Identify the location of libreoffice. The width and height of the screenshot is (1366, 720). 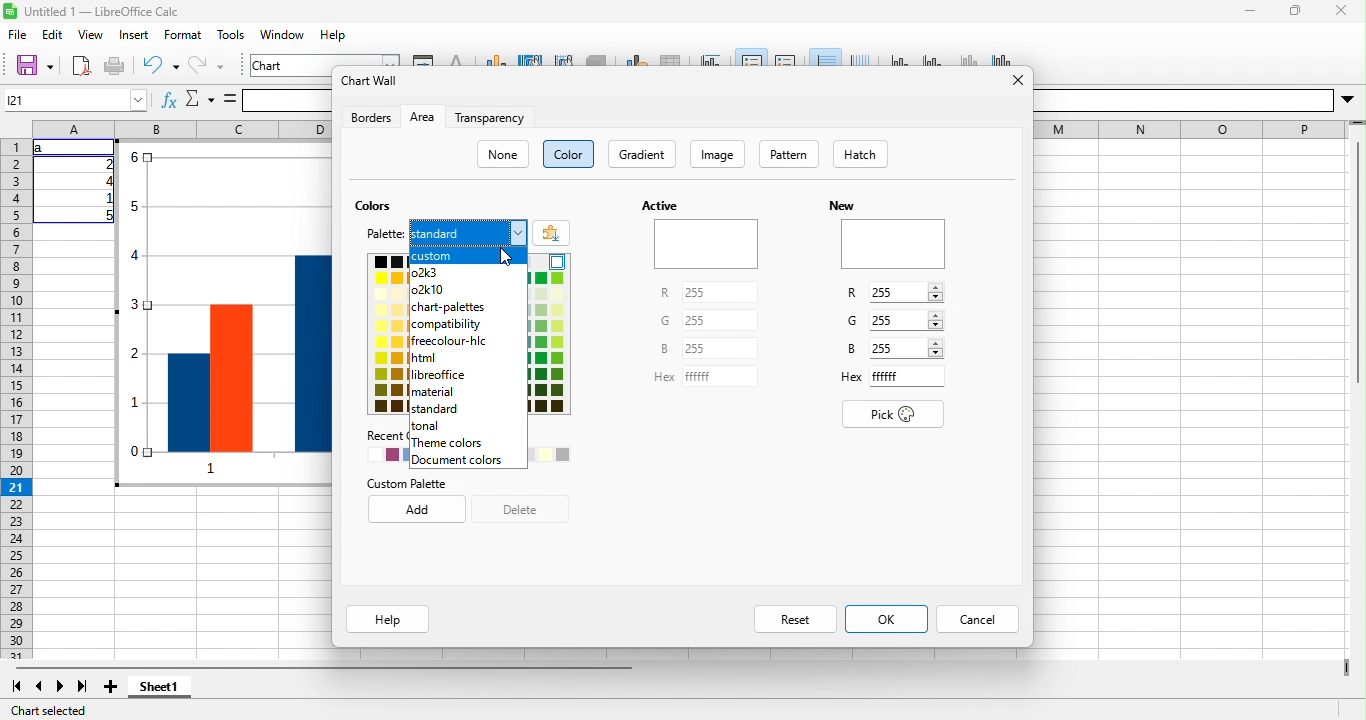
(468, 374).